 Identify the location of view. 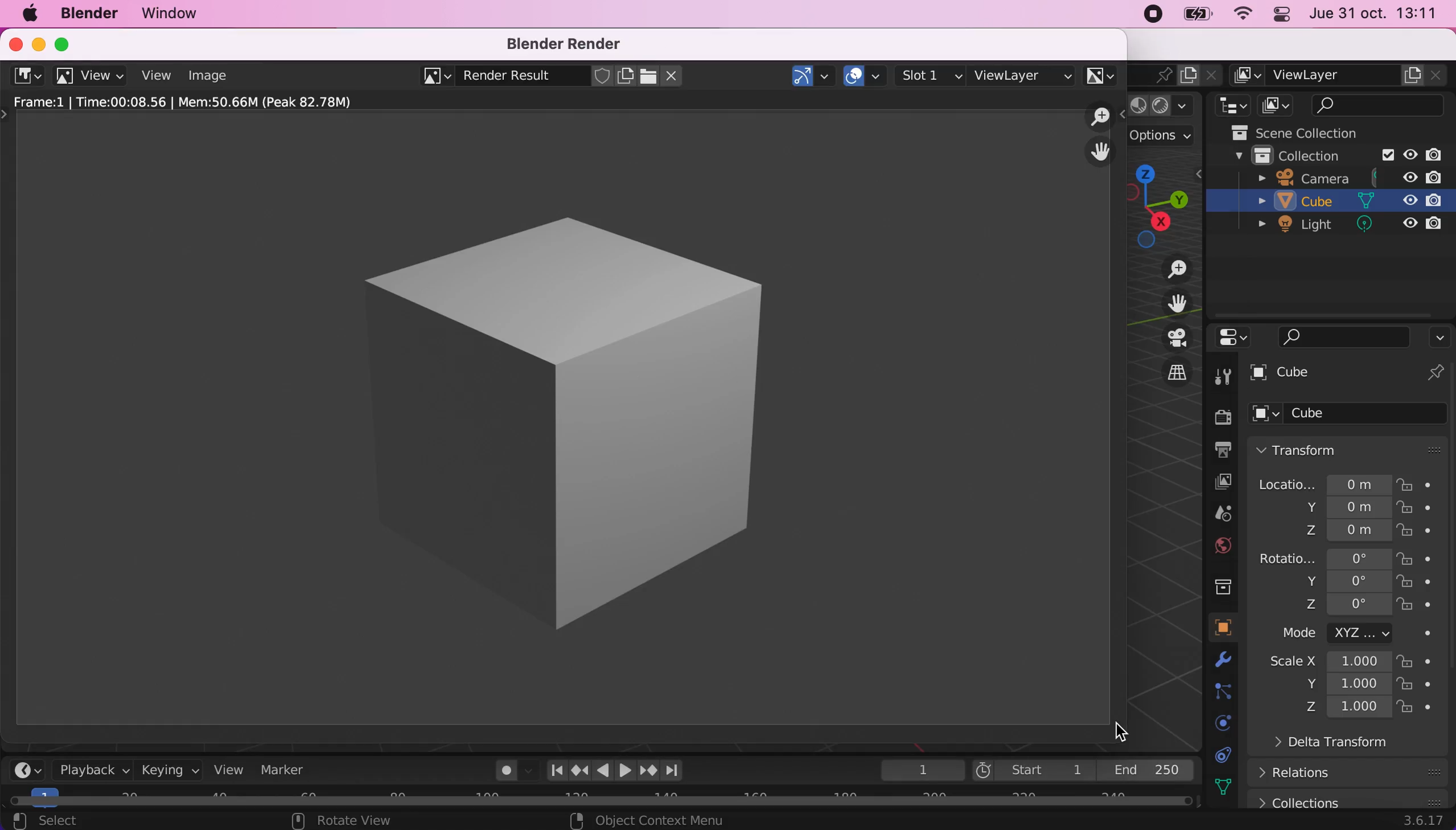
(156, 75).